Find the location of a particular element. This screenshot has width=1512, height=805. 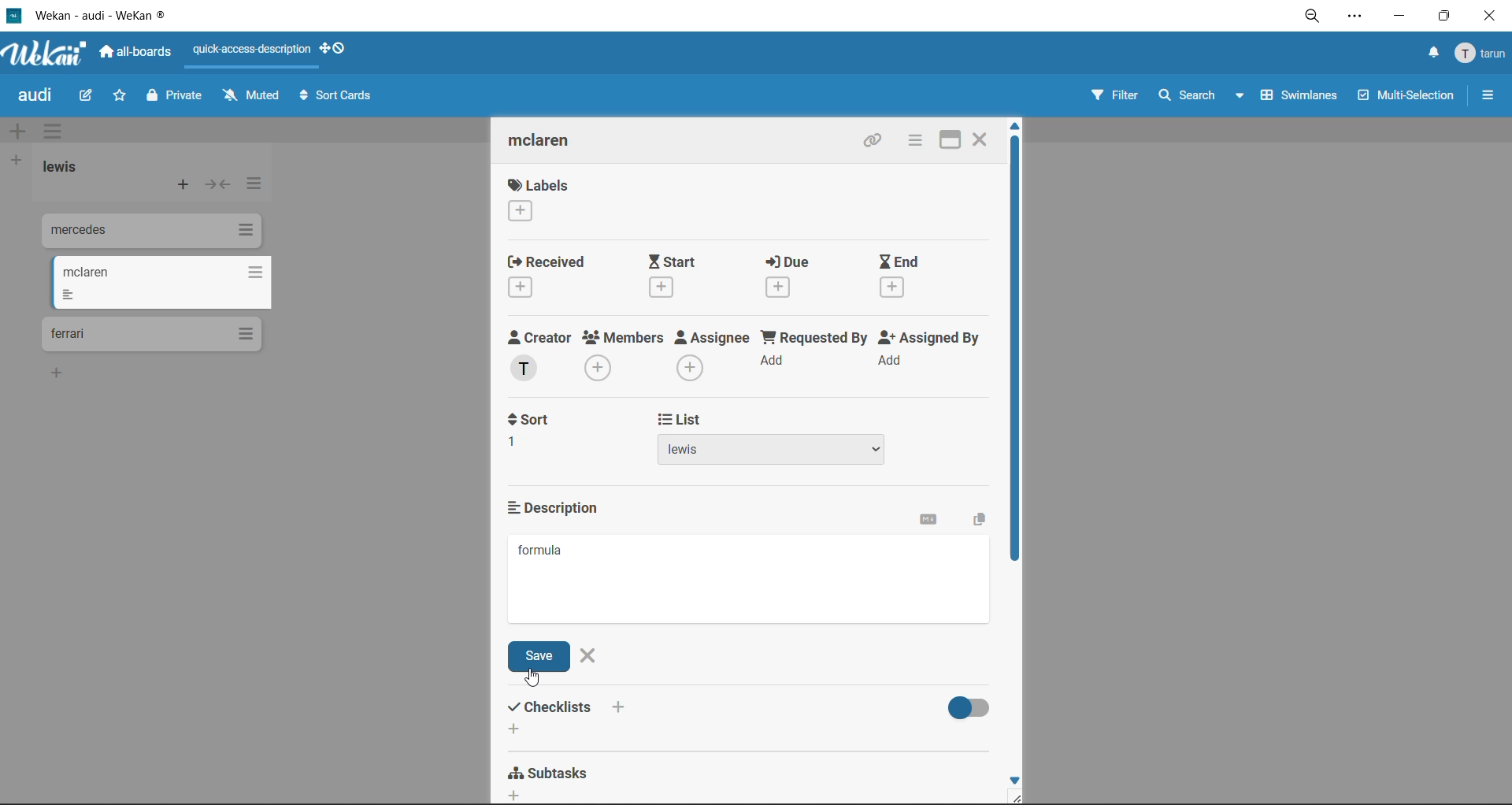

notifications is located at coordinates (1431, 55).